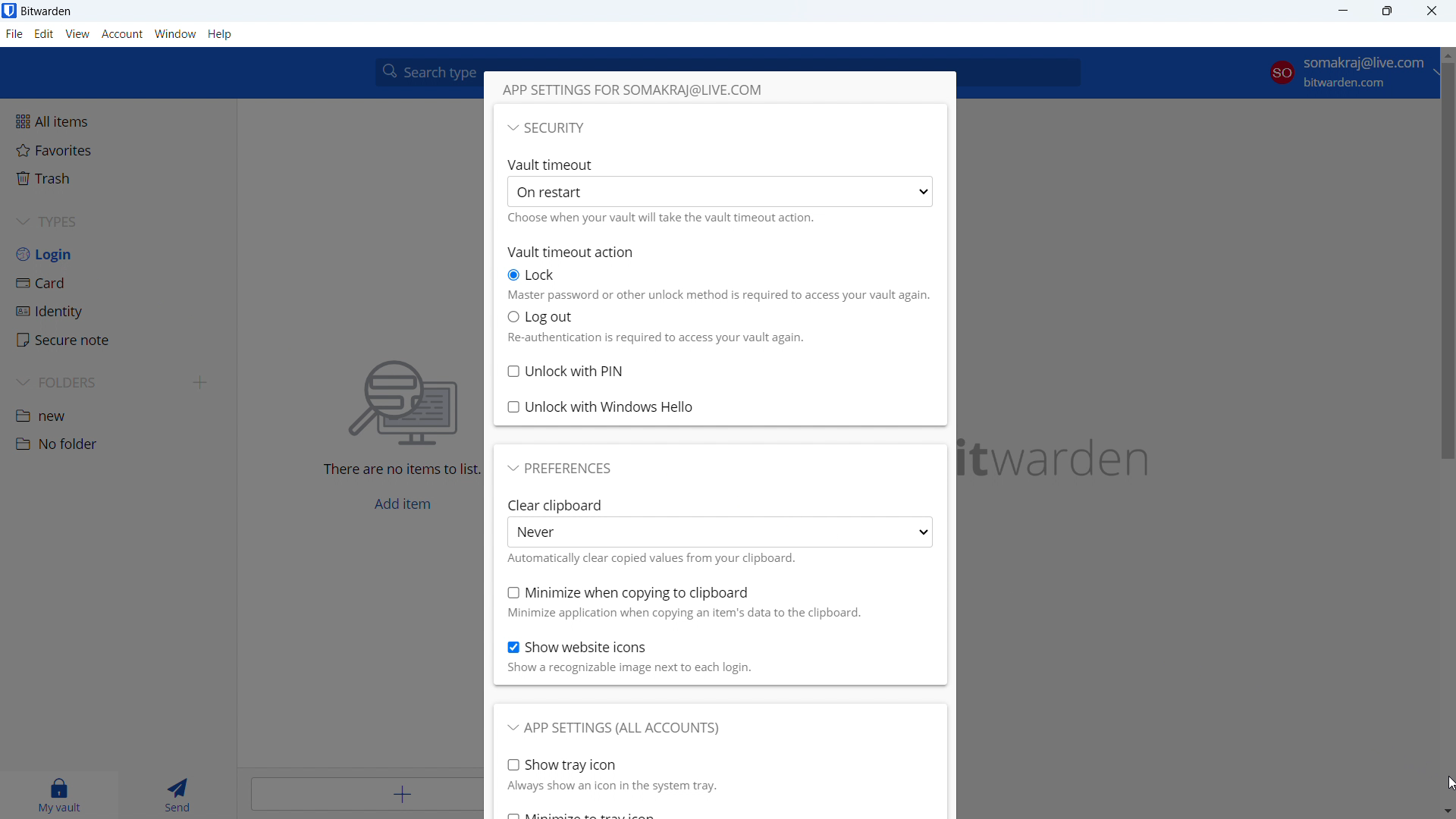  What do you see at coordinates (96, 382) in the screenshot?
I see `folders` at bounding box center [96, 382].